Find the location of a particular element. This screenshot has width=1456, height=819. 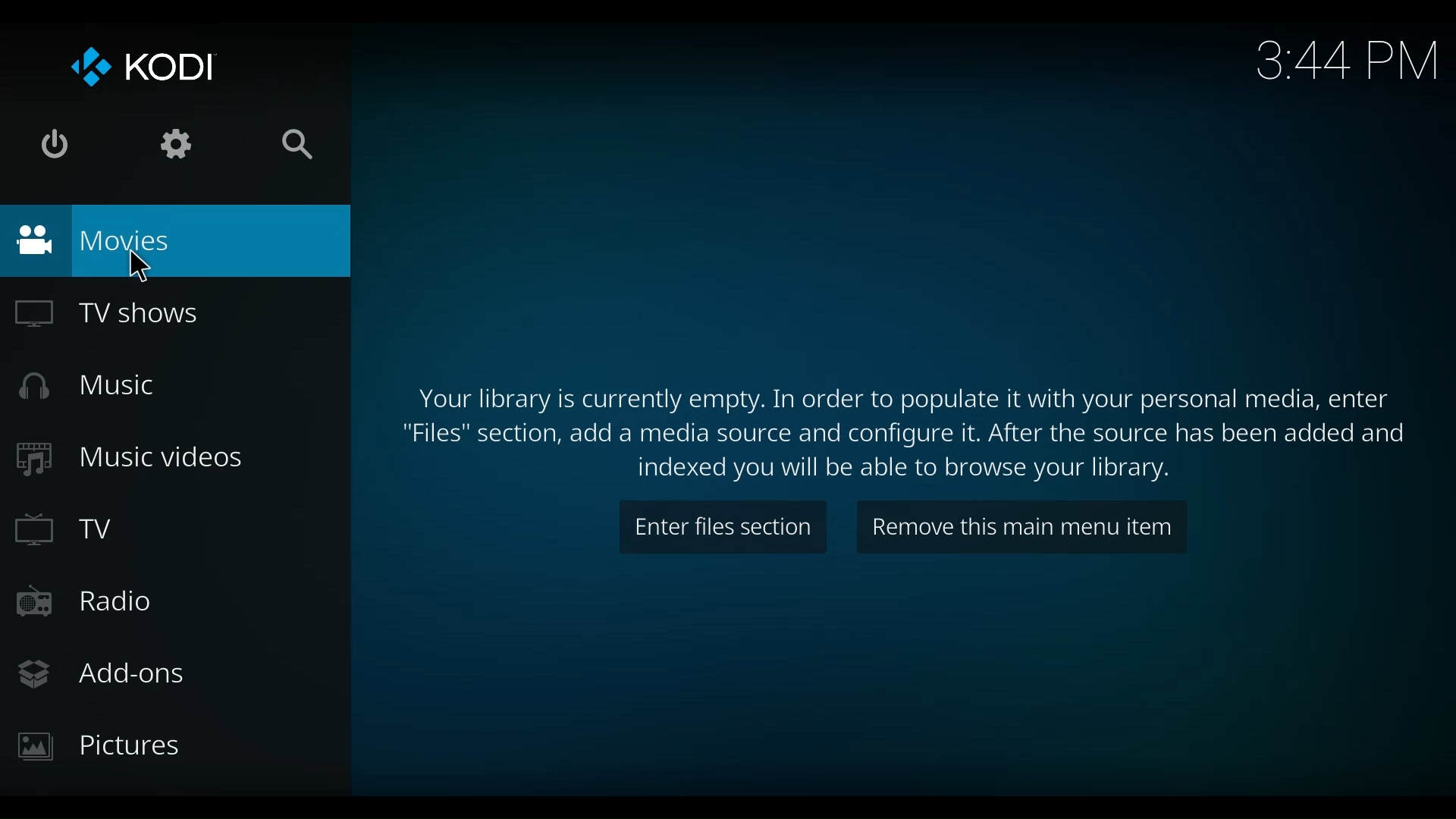

Movies is located at coordinates (176, 242).